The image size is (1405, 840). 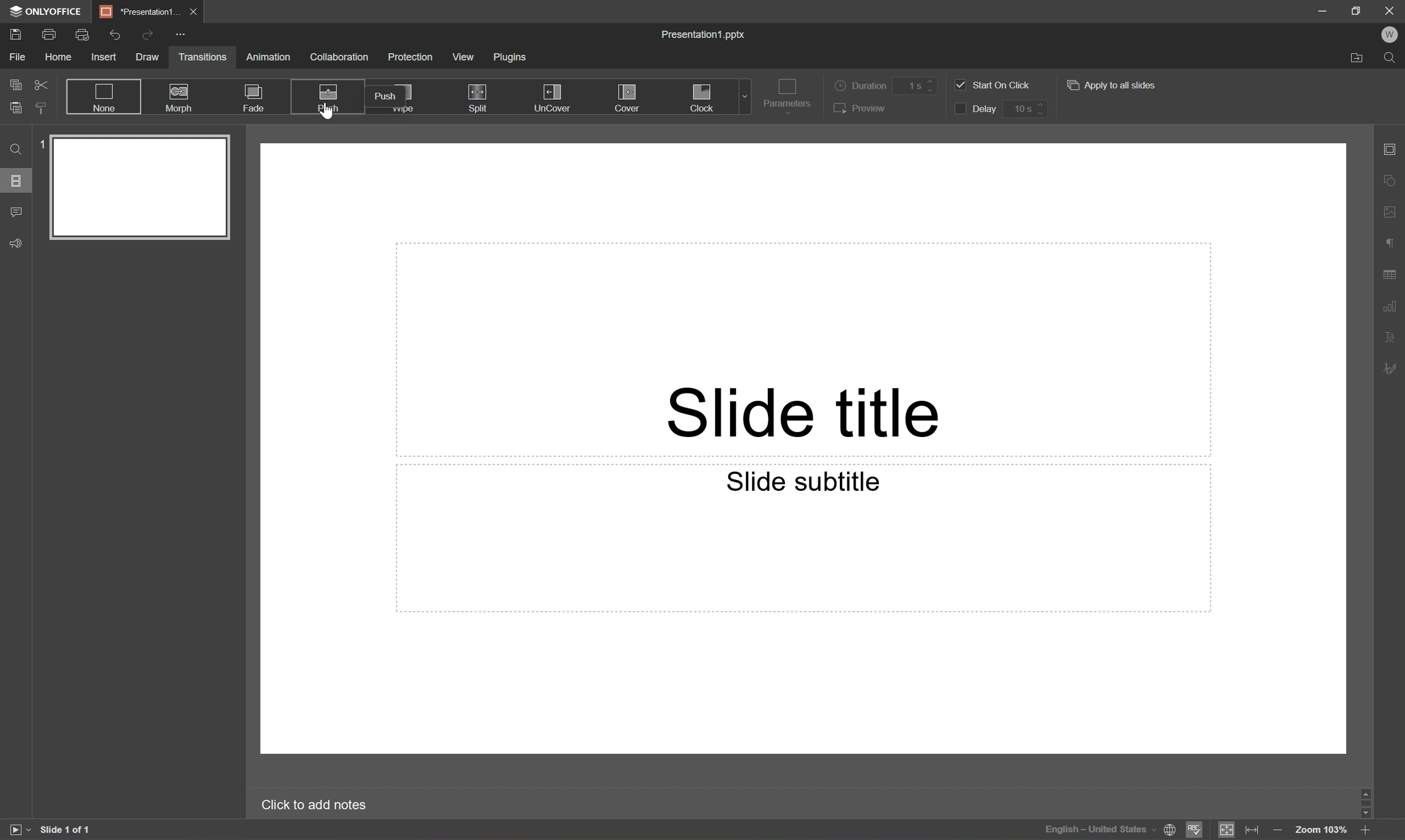 What do you see at coordinates (1394, 339) in the screenshot?
I see `Text art settings` at bounding box center [1394, 339].